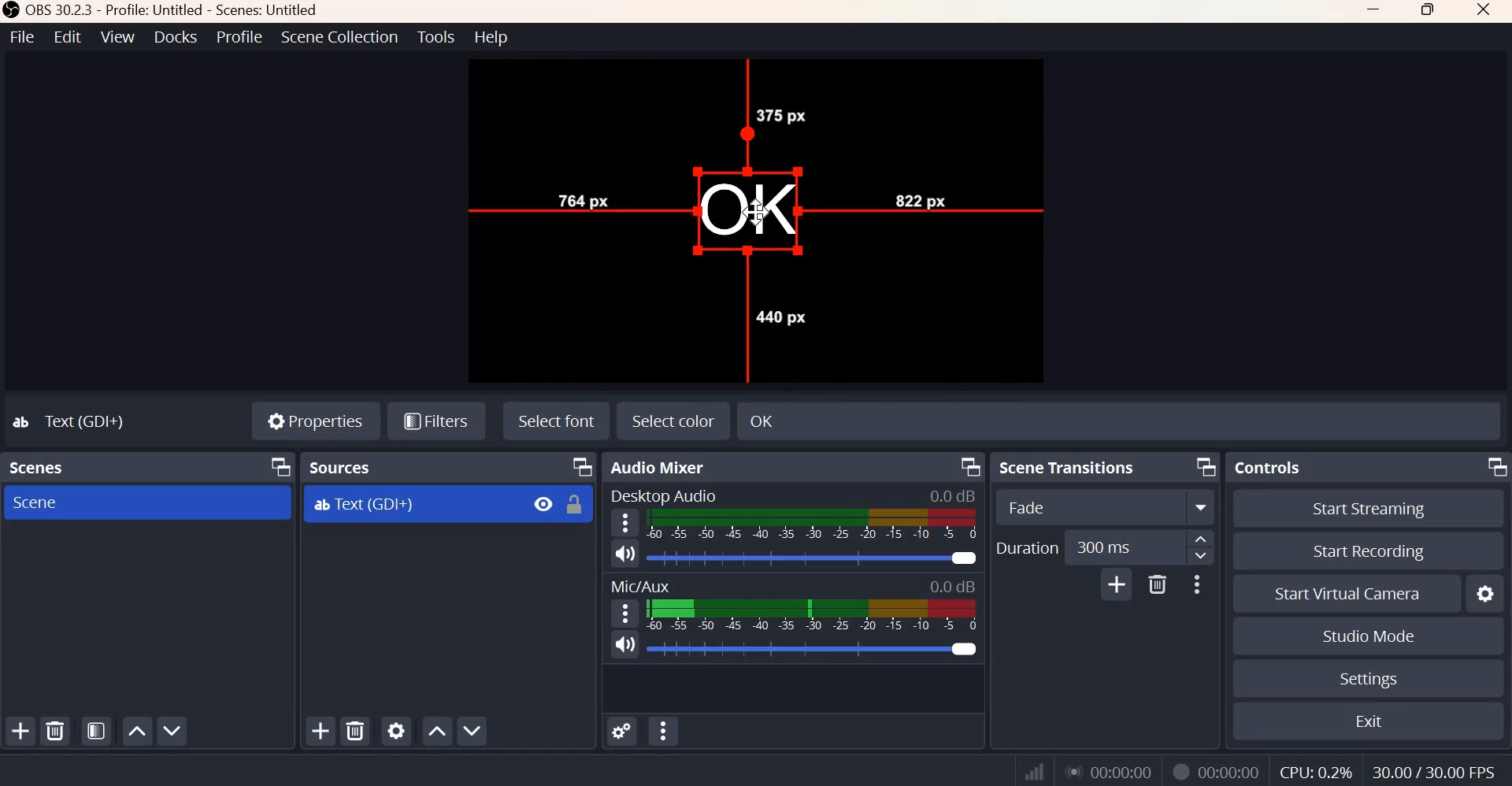  Describe the element at coordinates (750, 211) in the screenshot. I see `source element OK` at that location.